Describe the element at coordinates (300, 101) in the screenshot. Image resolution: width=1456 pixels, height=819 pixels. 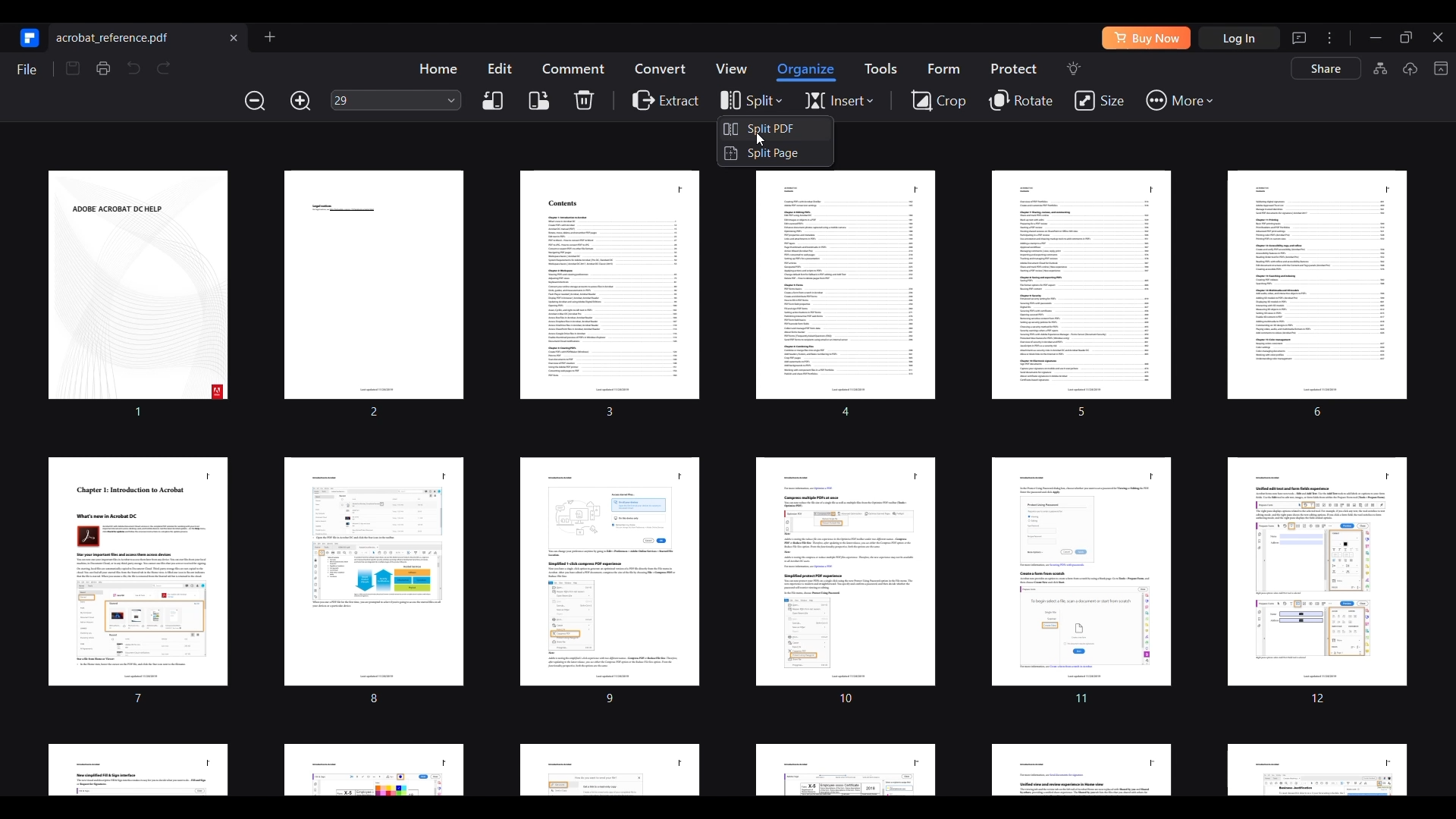
I see `Zoom in` at that location.